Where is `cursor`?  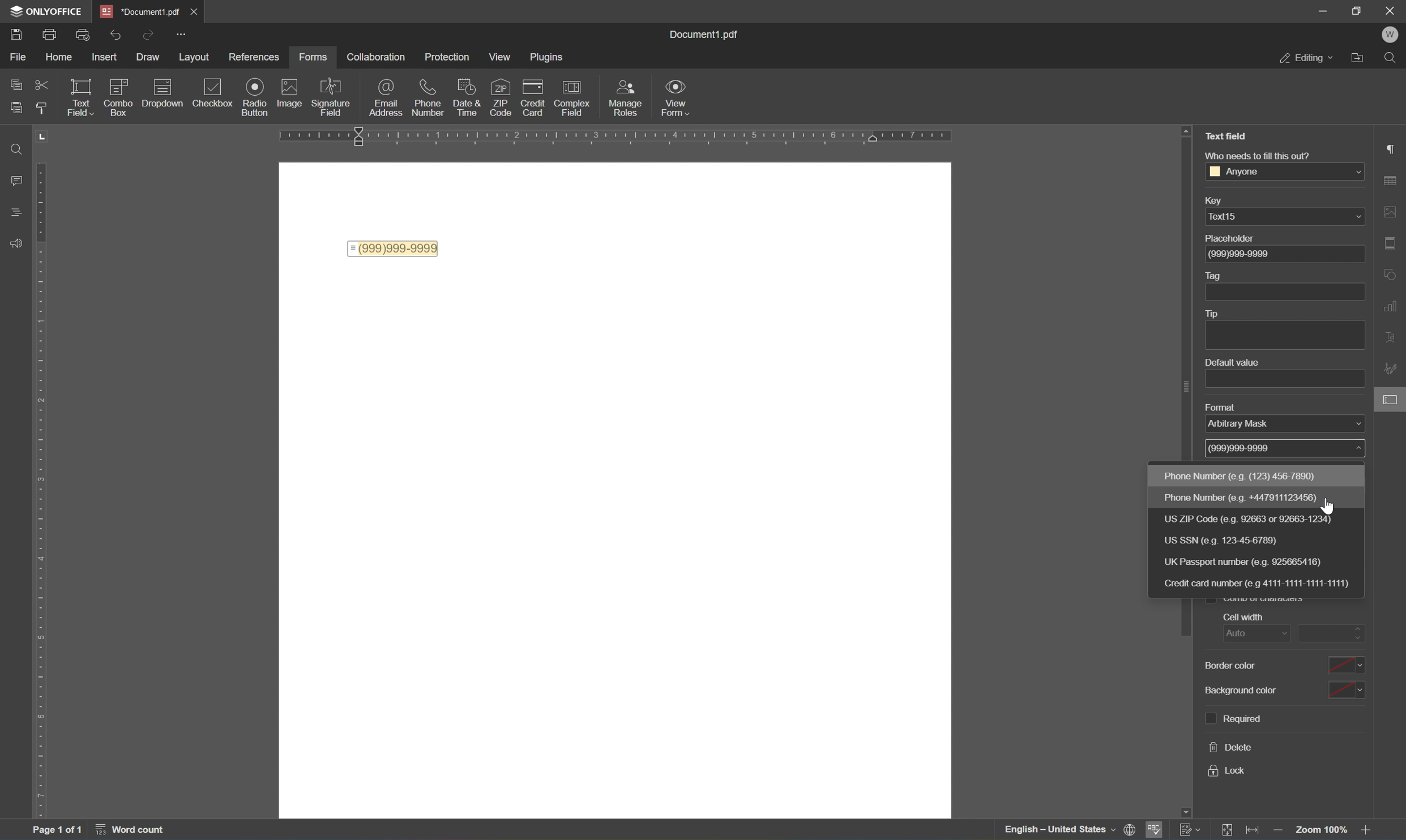 cursor is located at coordinates (1394, 404).